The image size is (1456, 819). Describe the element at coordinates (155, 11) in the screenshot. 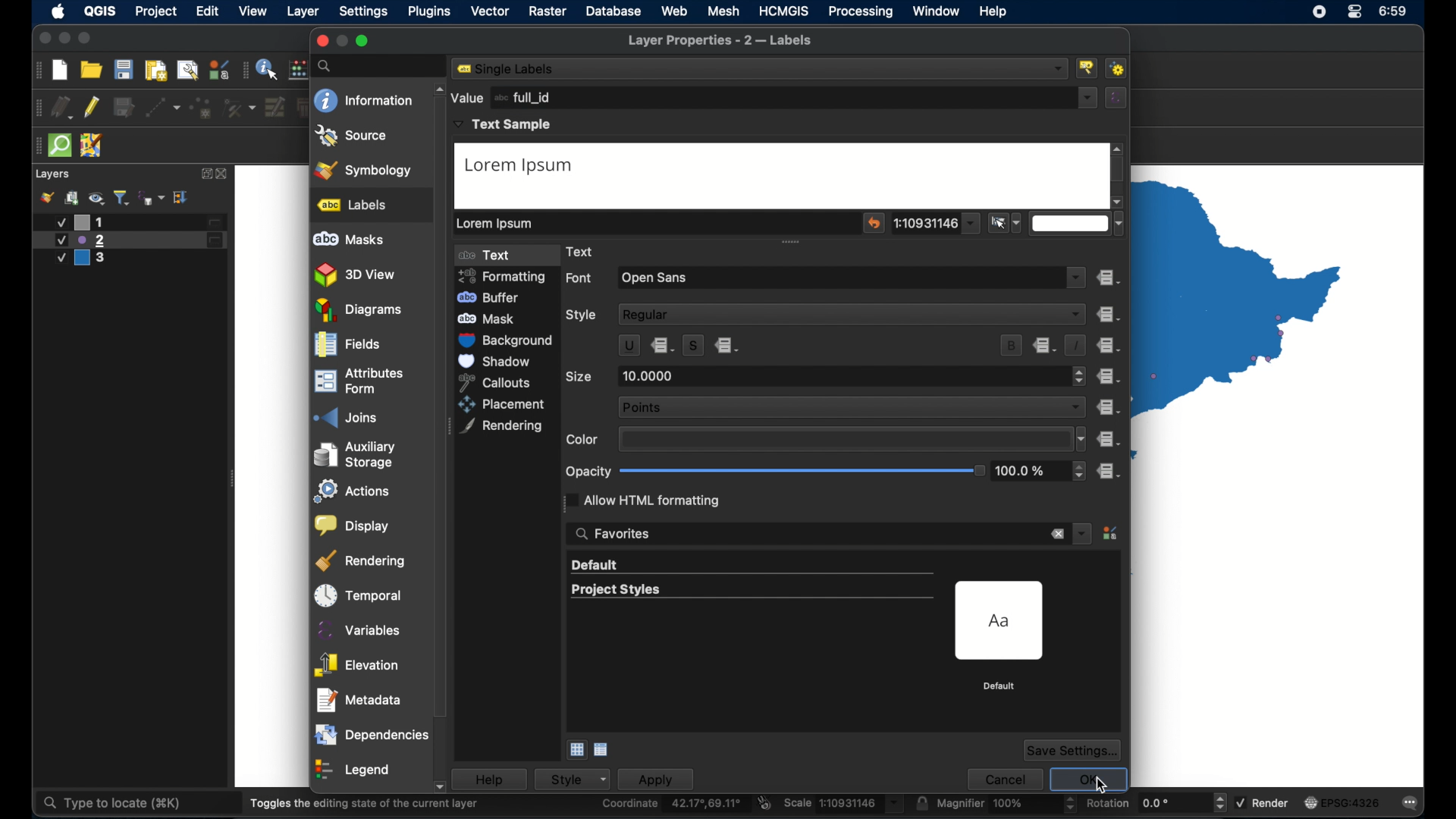

I see `project` at that location.